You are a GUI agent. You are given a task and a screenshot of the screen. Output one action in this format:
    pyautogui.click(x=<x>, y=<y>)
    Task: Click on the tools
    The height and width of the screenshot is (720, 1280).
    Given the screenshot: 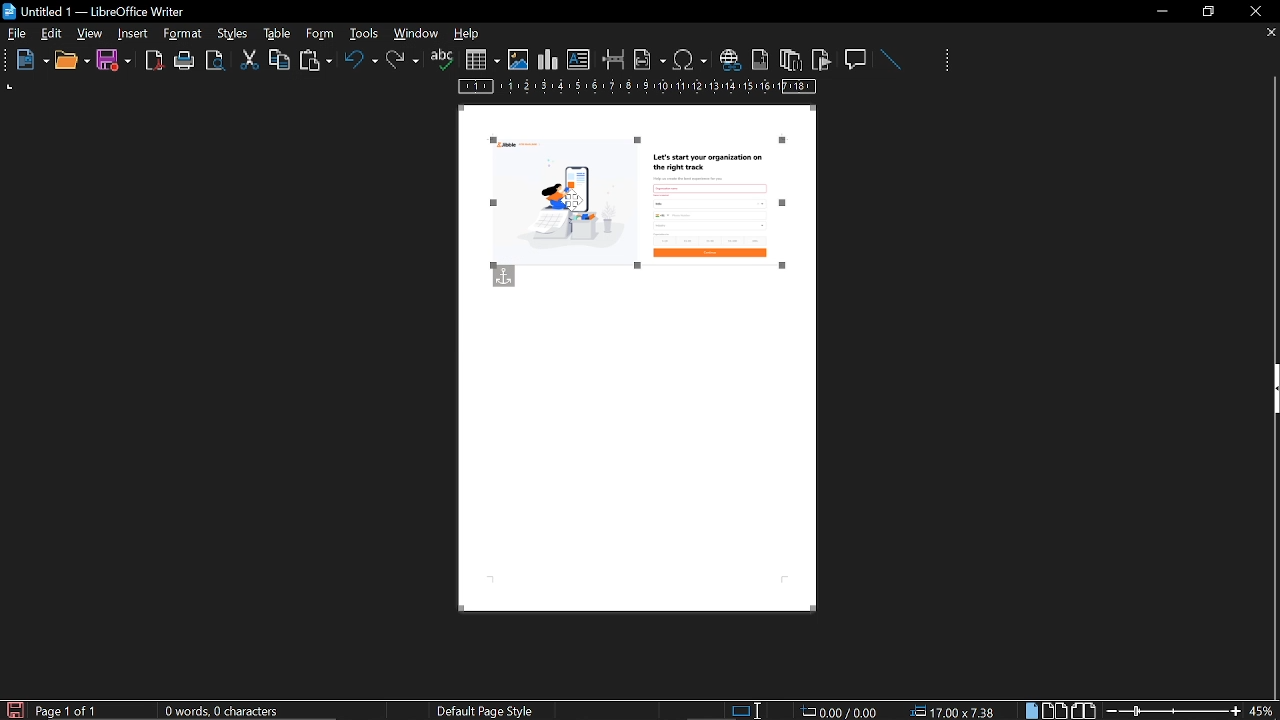 What is the action you would take?
    pyautogui.click(x=186, y=34)
    